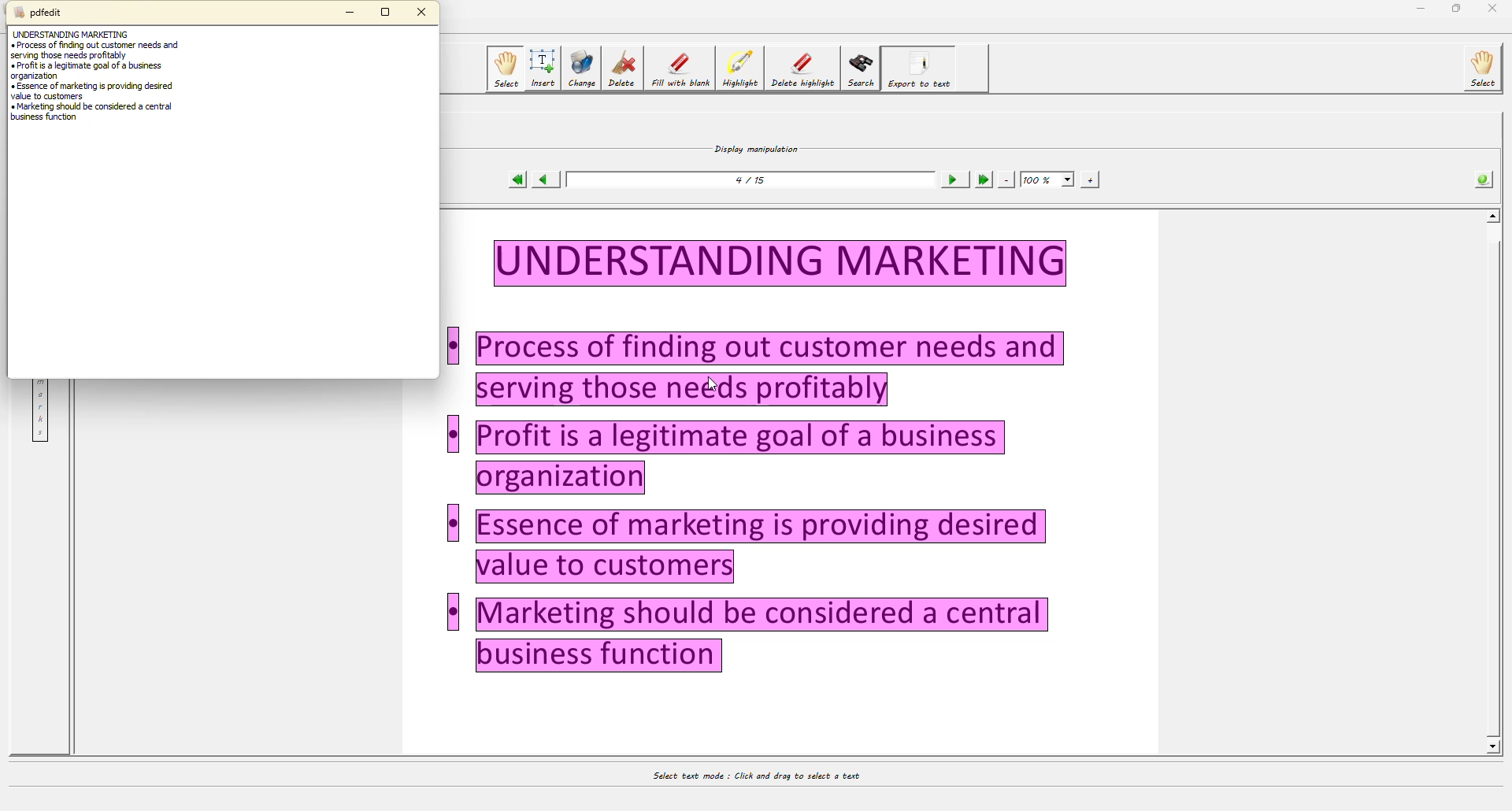  I want to click on maximize, so click(1454, 9).